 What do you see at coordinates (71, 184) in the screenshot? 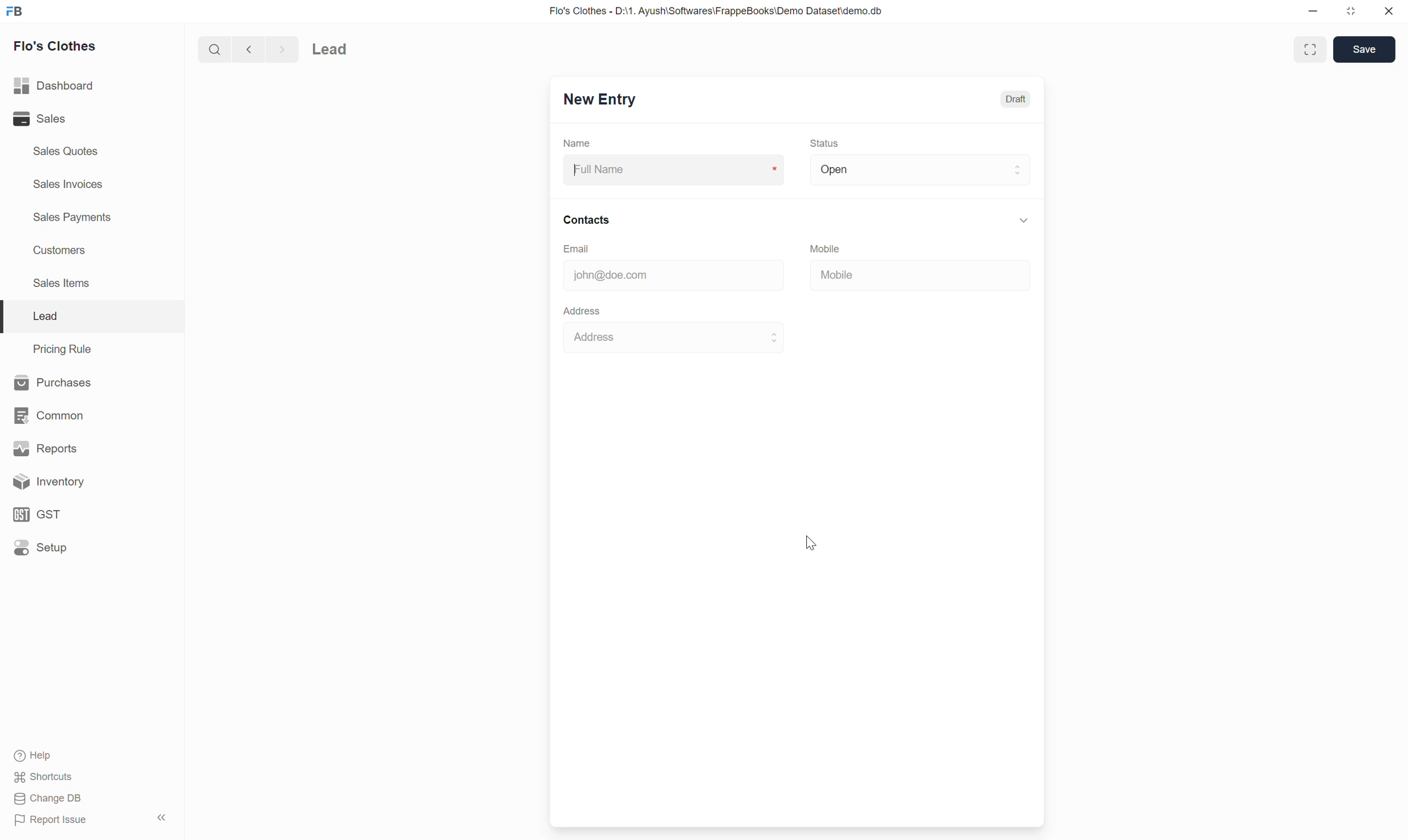
I see `Sales Invoices` at bounding box center [71, 184].